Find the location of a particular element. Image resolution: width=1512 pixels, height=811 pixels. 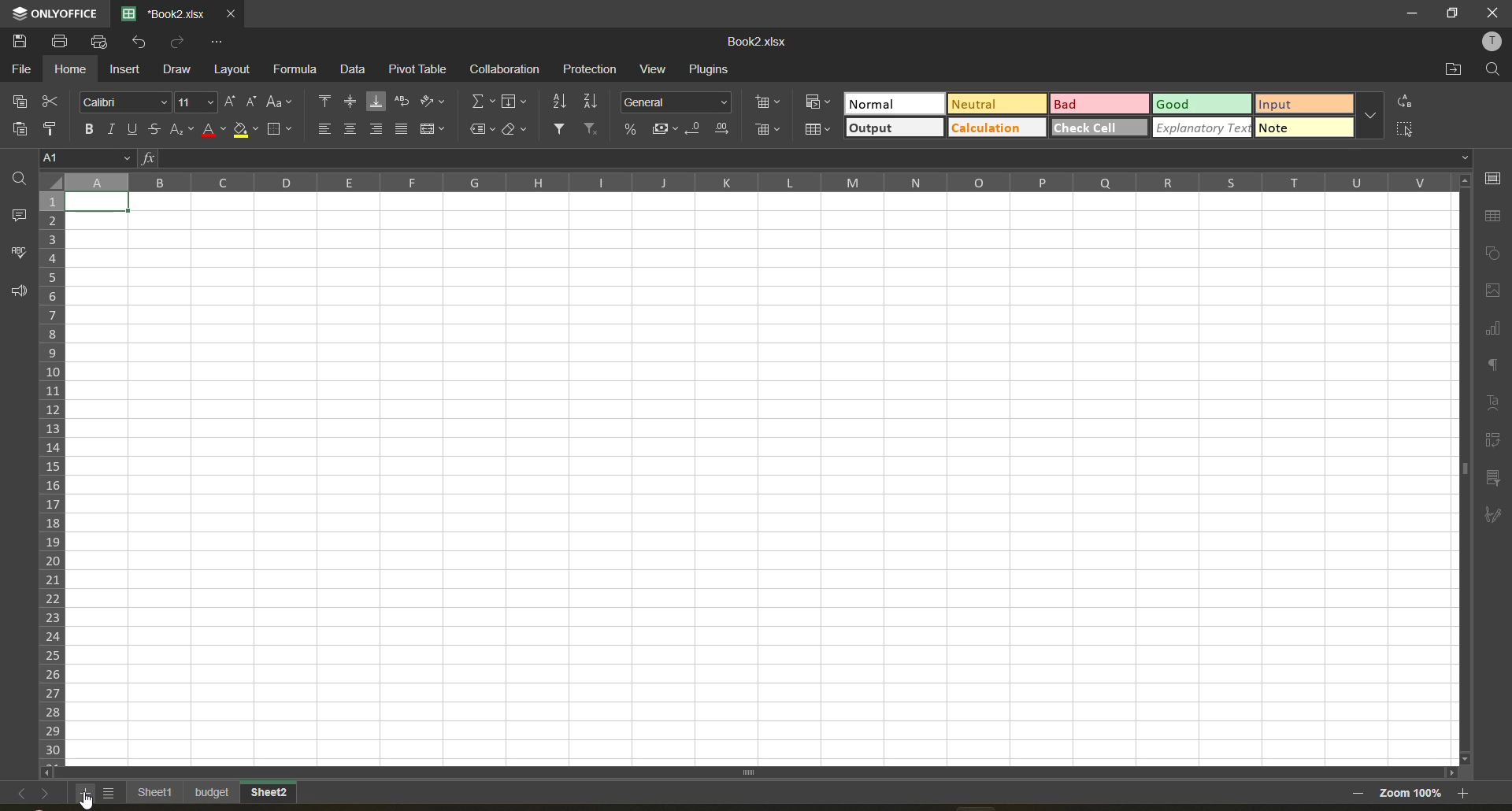

column names is located at coordinates (745, 182).